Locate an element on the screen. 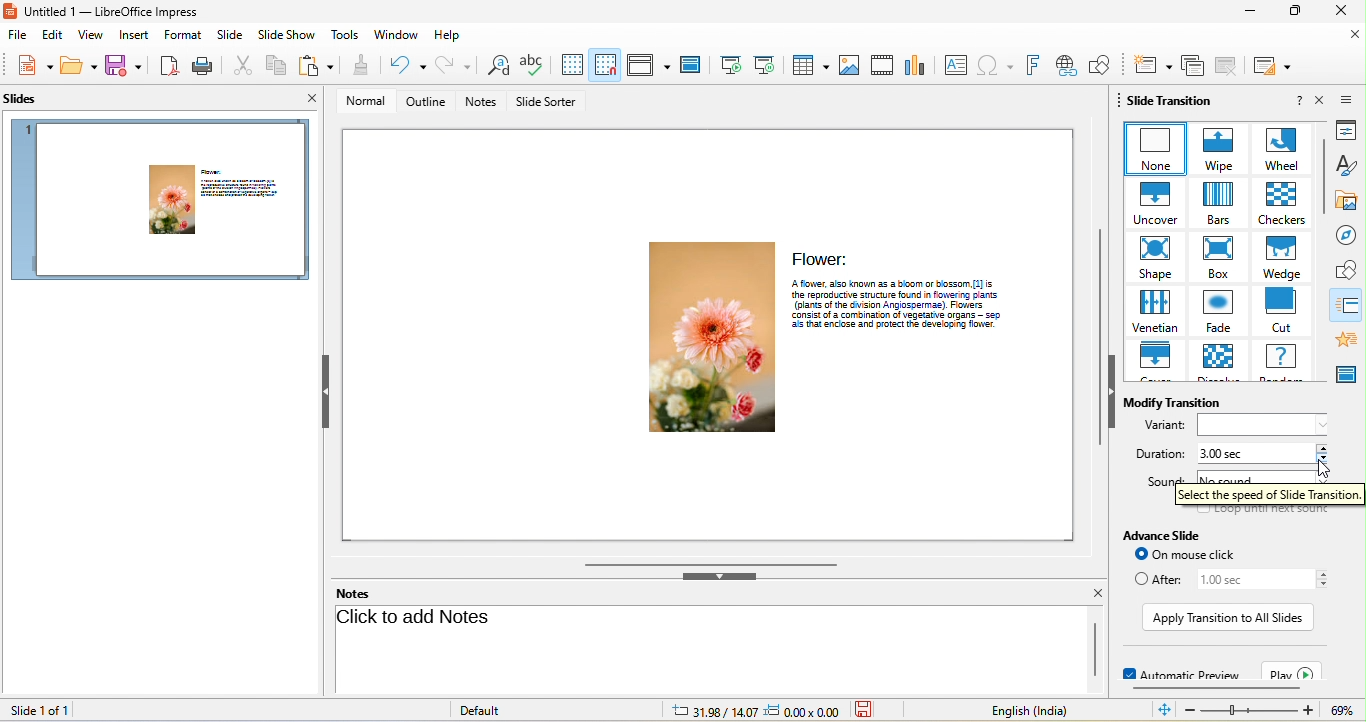  default is located at coordinates (509, 711).